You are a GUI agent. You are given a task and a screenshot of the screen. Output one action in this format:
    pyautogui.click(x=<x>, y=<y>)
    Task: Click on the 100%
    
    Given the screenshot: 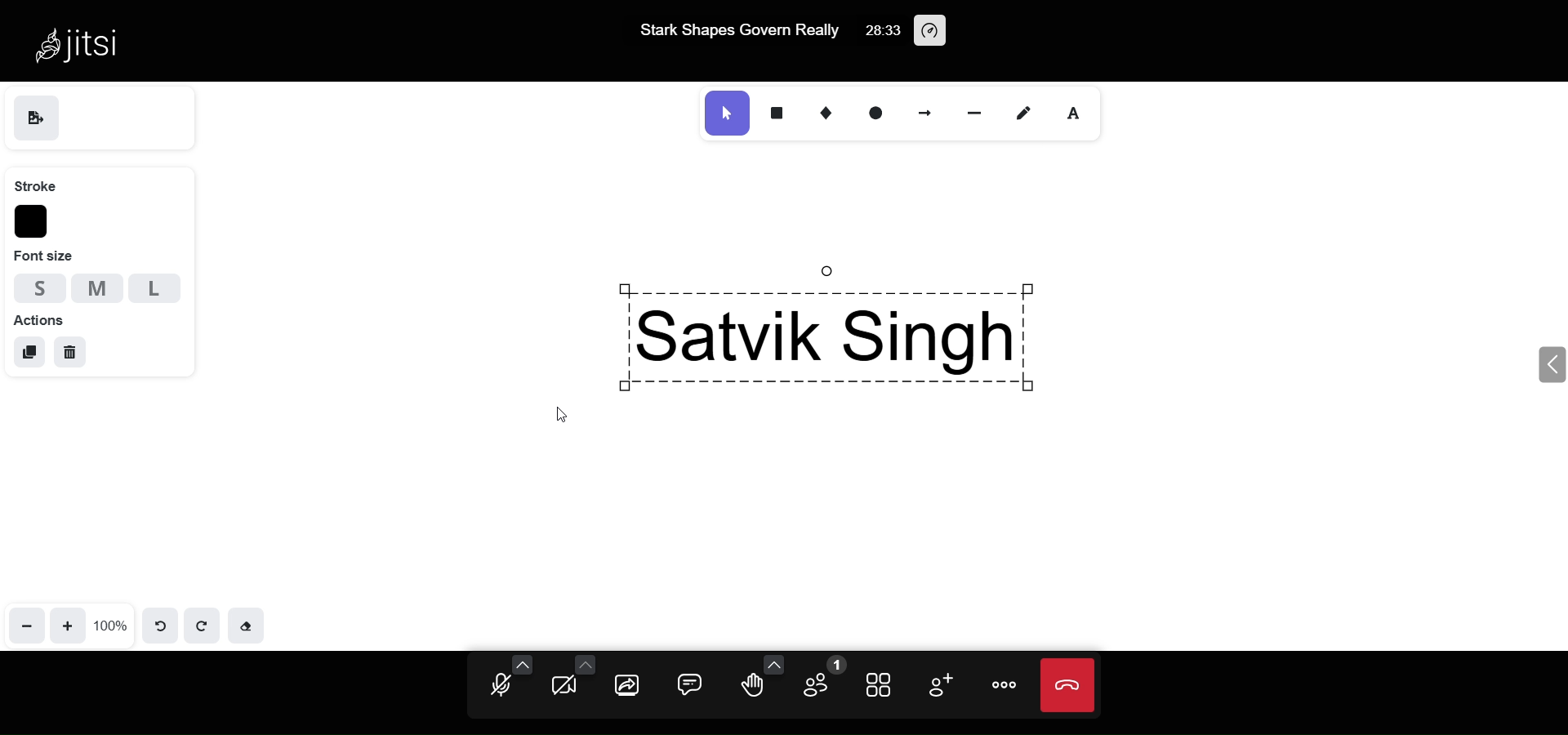 What is the action you would take?
    pyautogui.click(x=111, y=625)
    